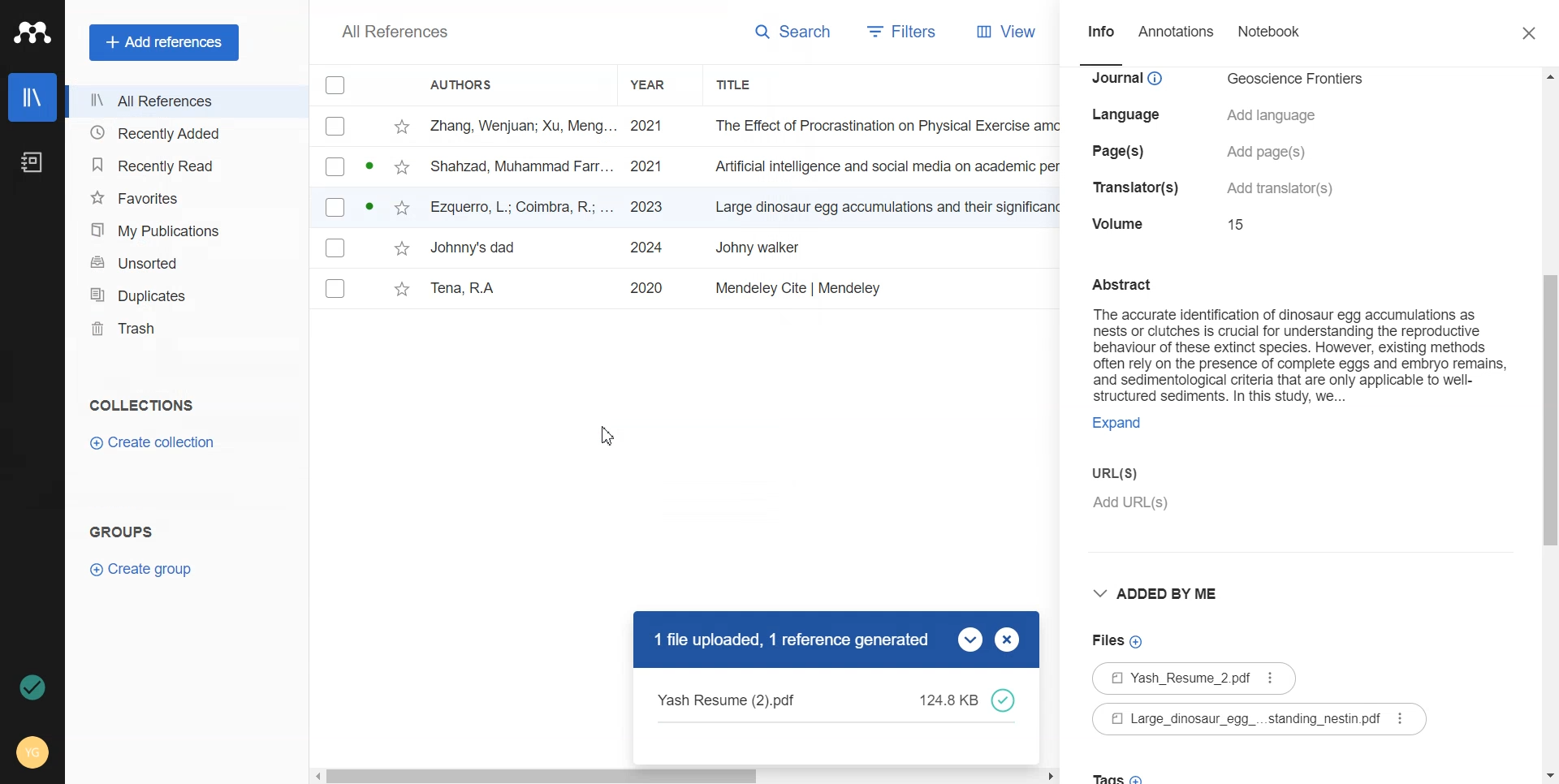  What do you see at coordinates (184, 164) in the screenshot?
I see `Recently Read` at bounding box center [184, 164].